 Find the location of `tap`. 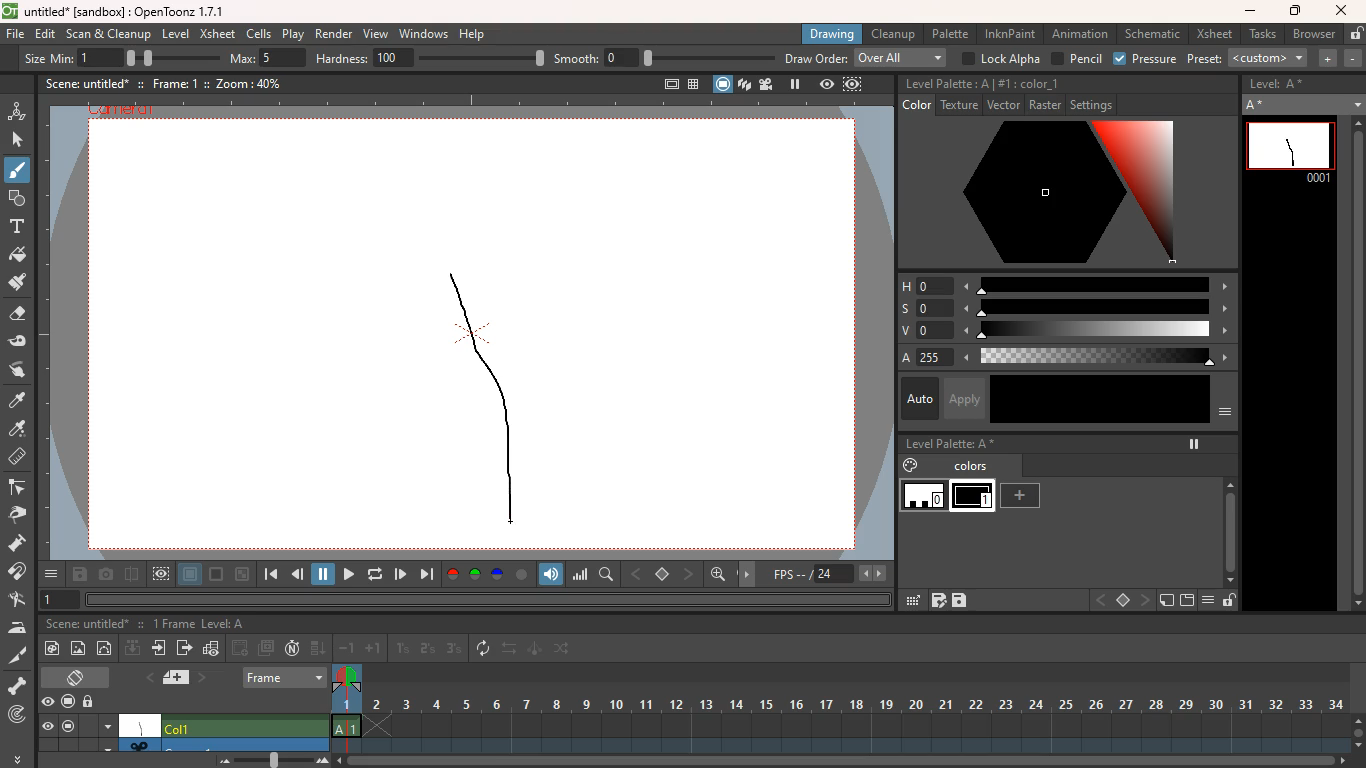

tap is located at coordinates (20, 601).